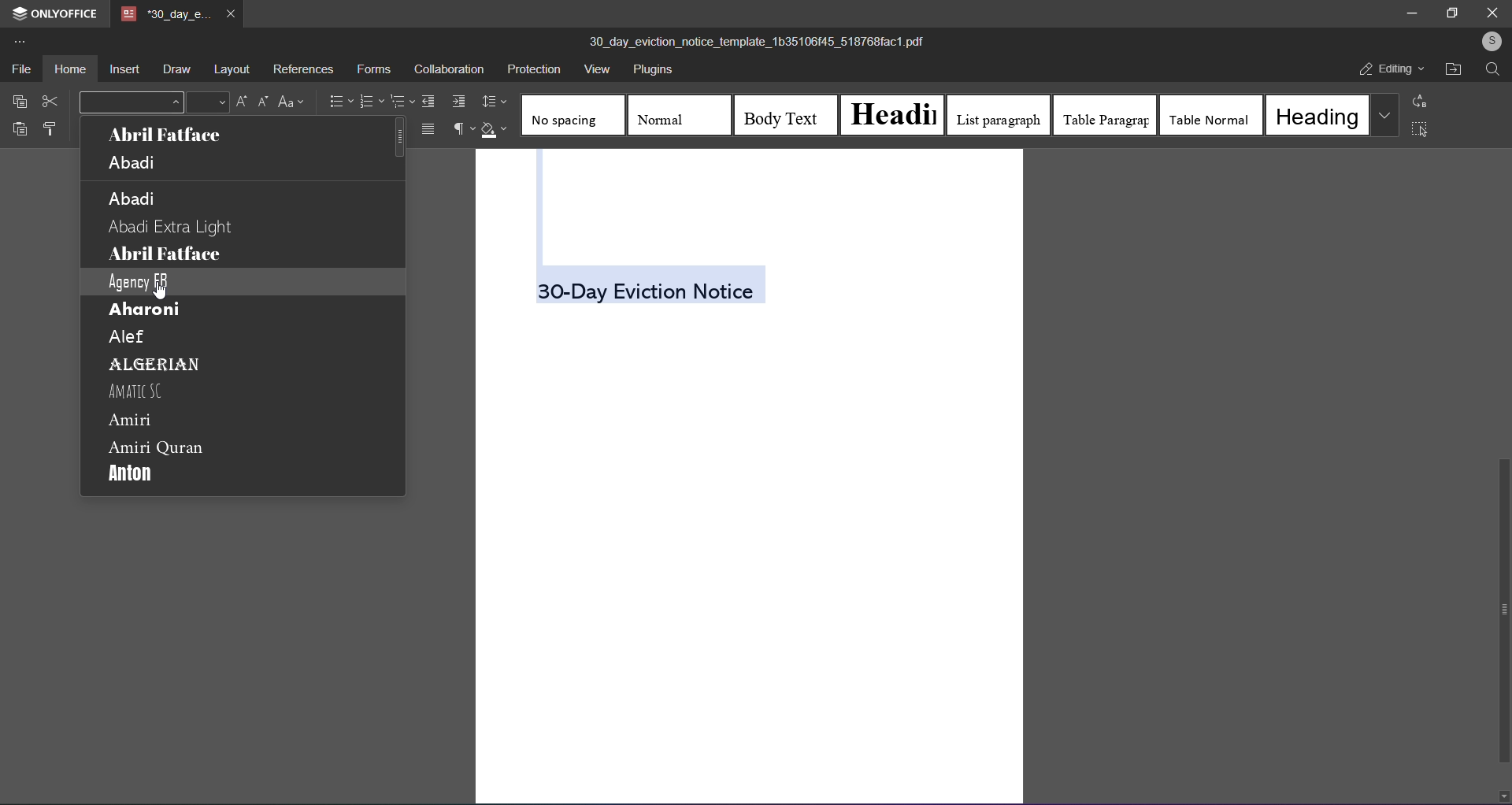  I want to click on abadi extra light, so click(172, 228).